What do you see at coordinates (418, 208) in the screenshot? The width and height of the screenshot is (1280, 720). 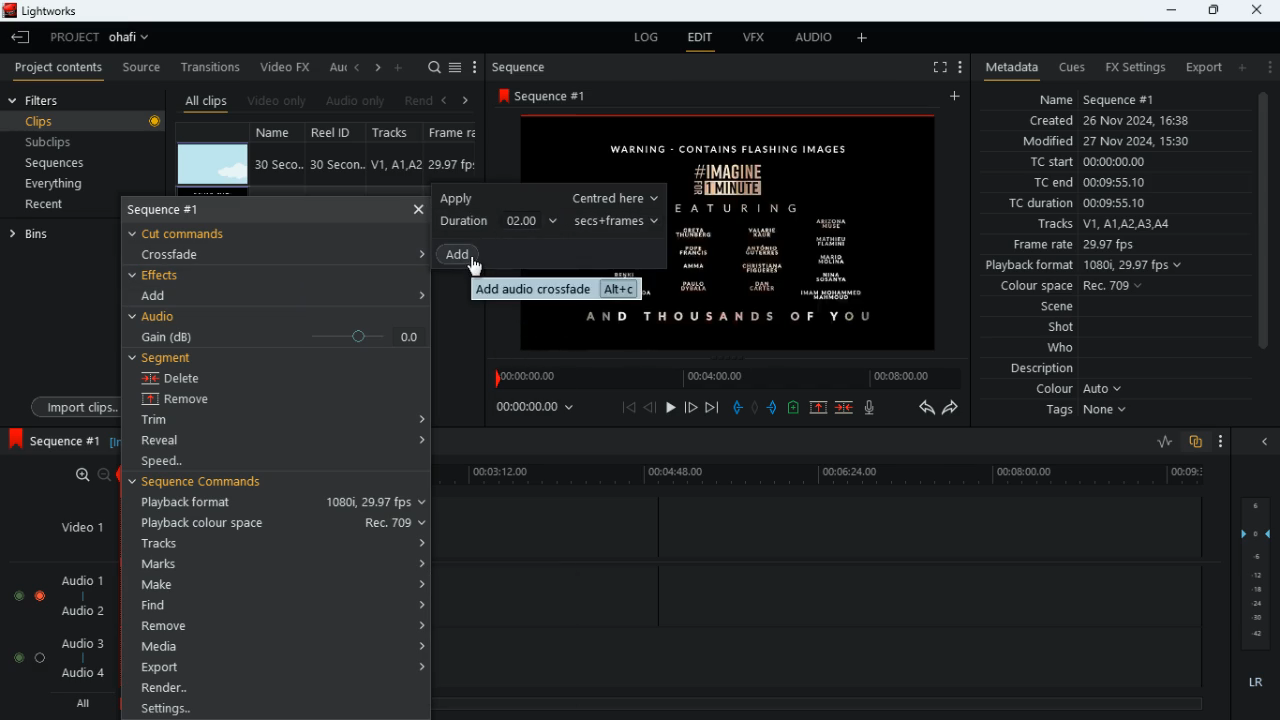 I see `close` at bounding box center [418, 208].